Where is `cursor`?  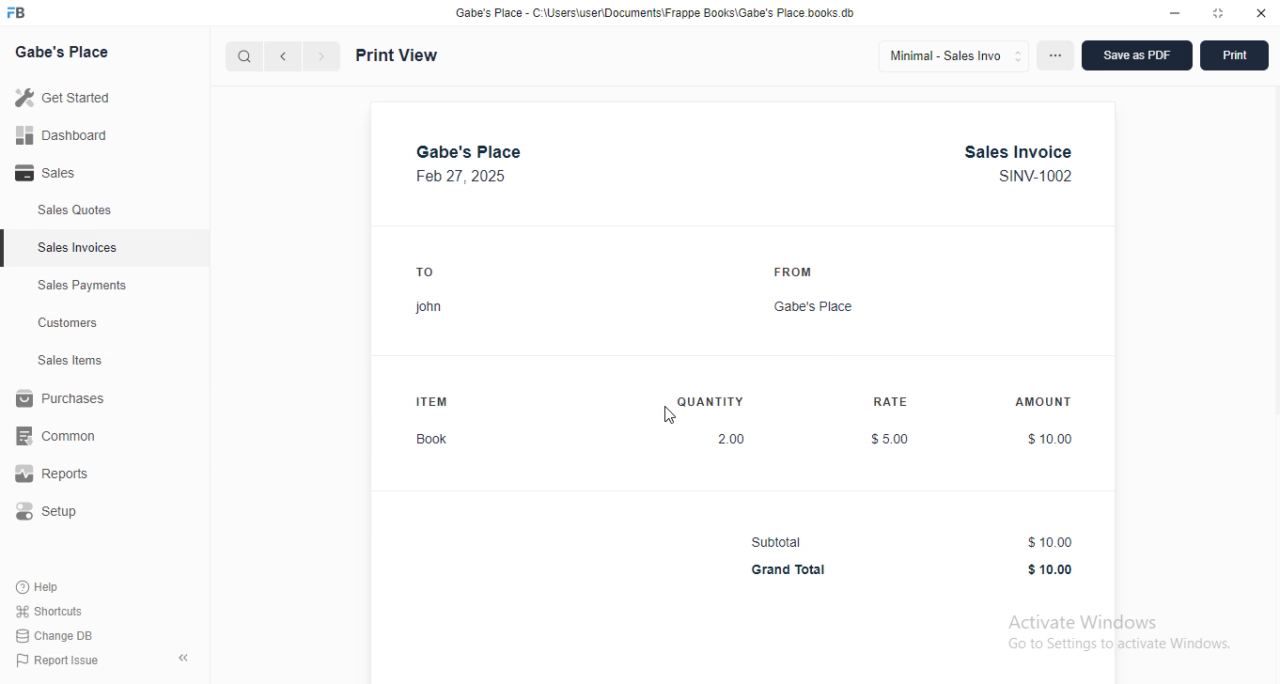
cursor is located at coordinates (670, 414).